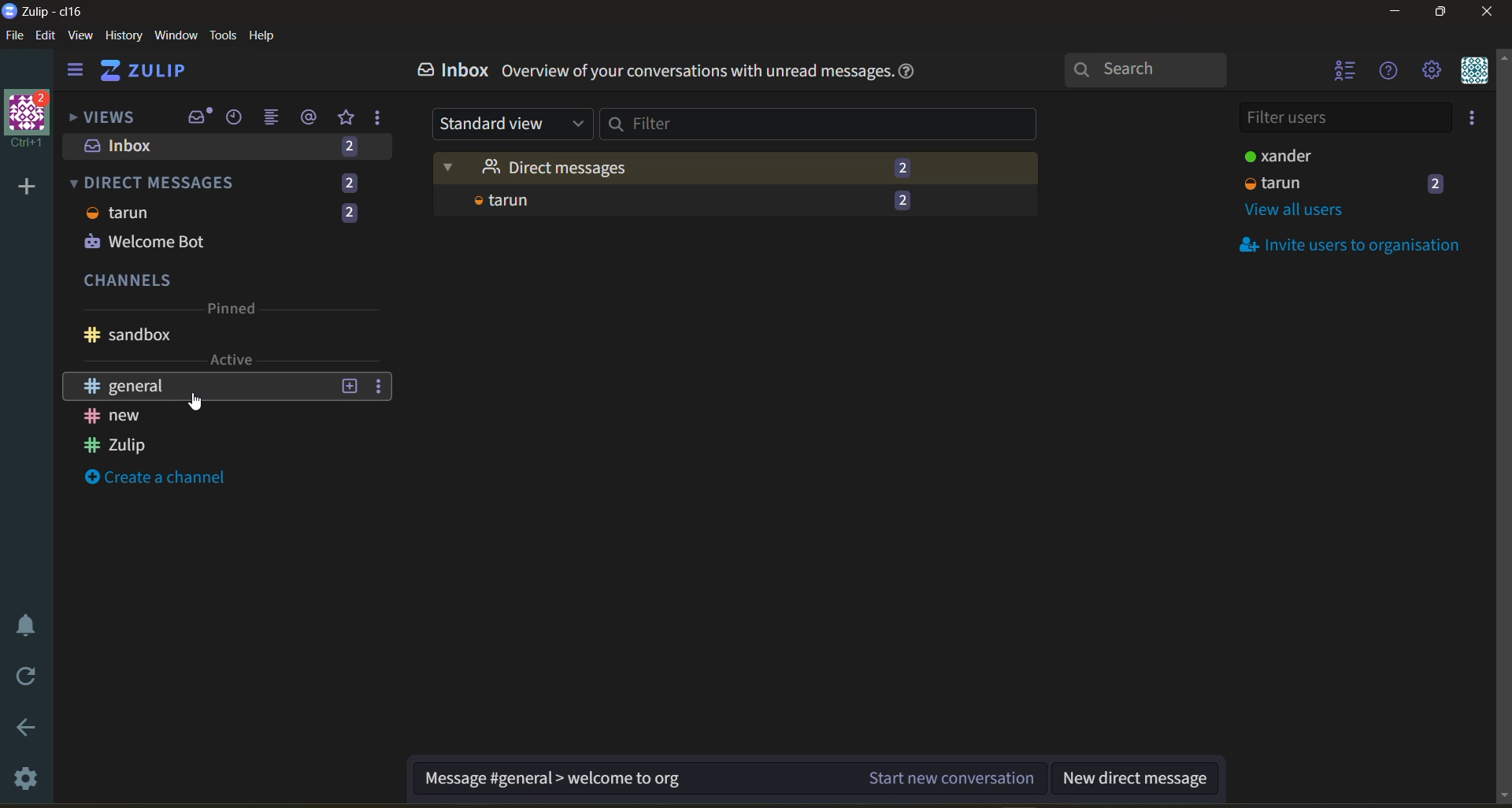  Describe the element at coordinates (226, 181) in the screenshot. I see `direct messages` at that location.